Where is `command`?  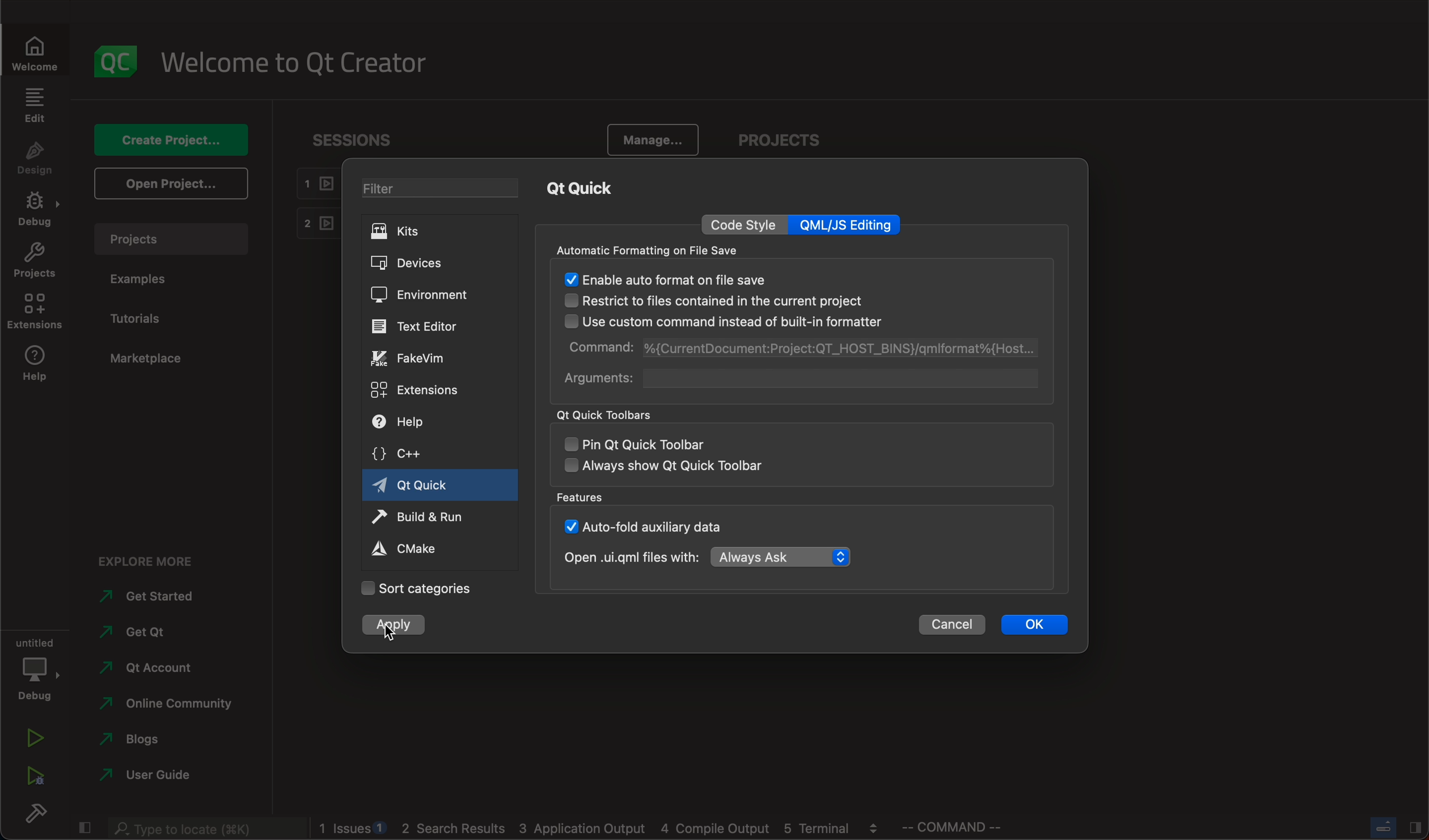
command is located at coordinates (964, 828).